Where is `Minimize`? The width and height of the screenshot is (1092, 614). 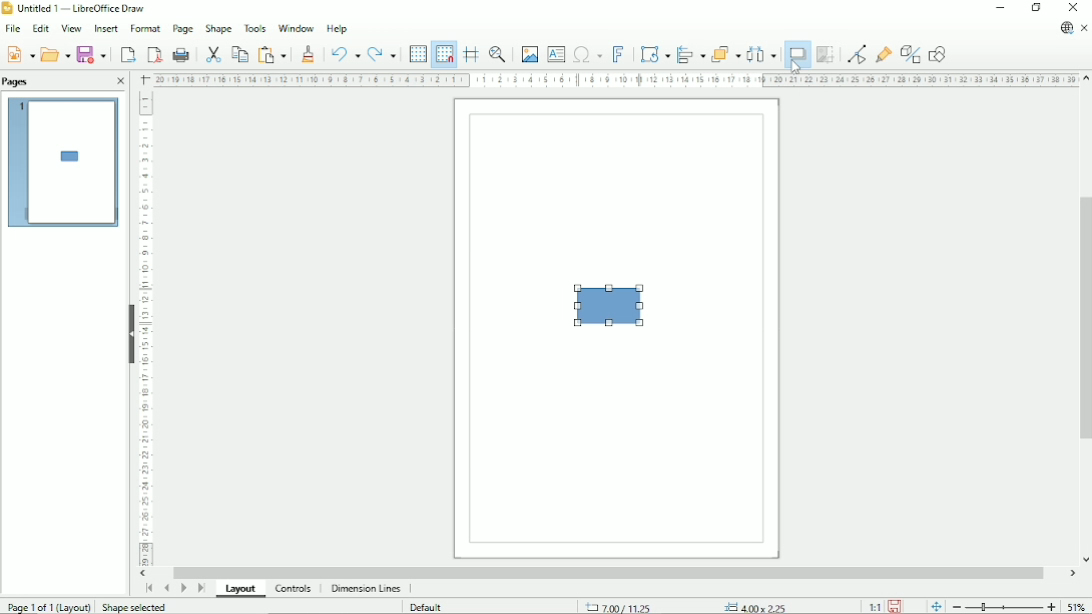
Minimize is located at coordinates (1000, 8).